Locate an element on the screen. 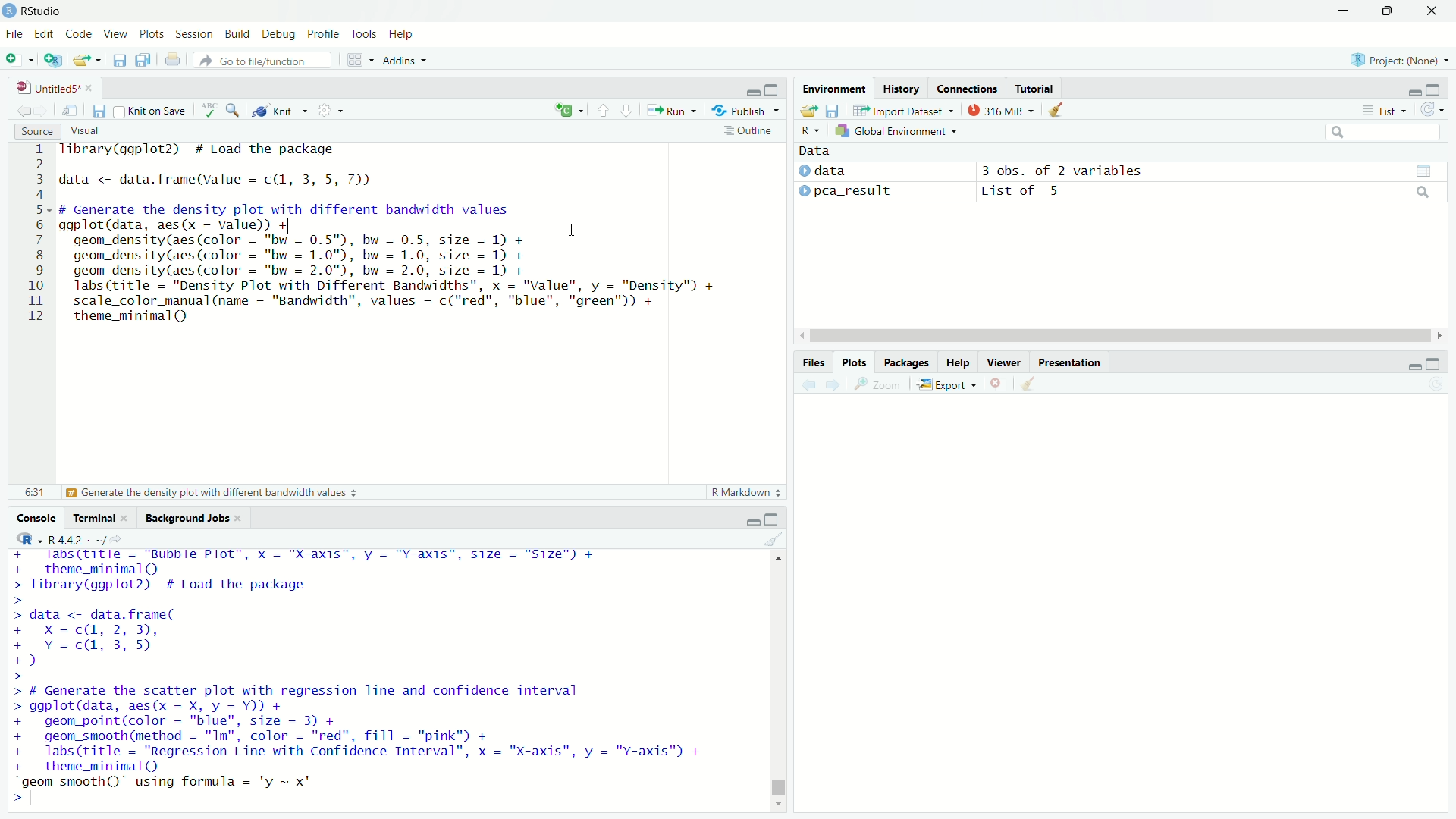  Workspace panes is located at coordinates (360, 59).